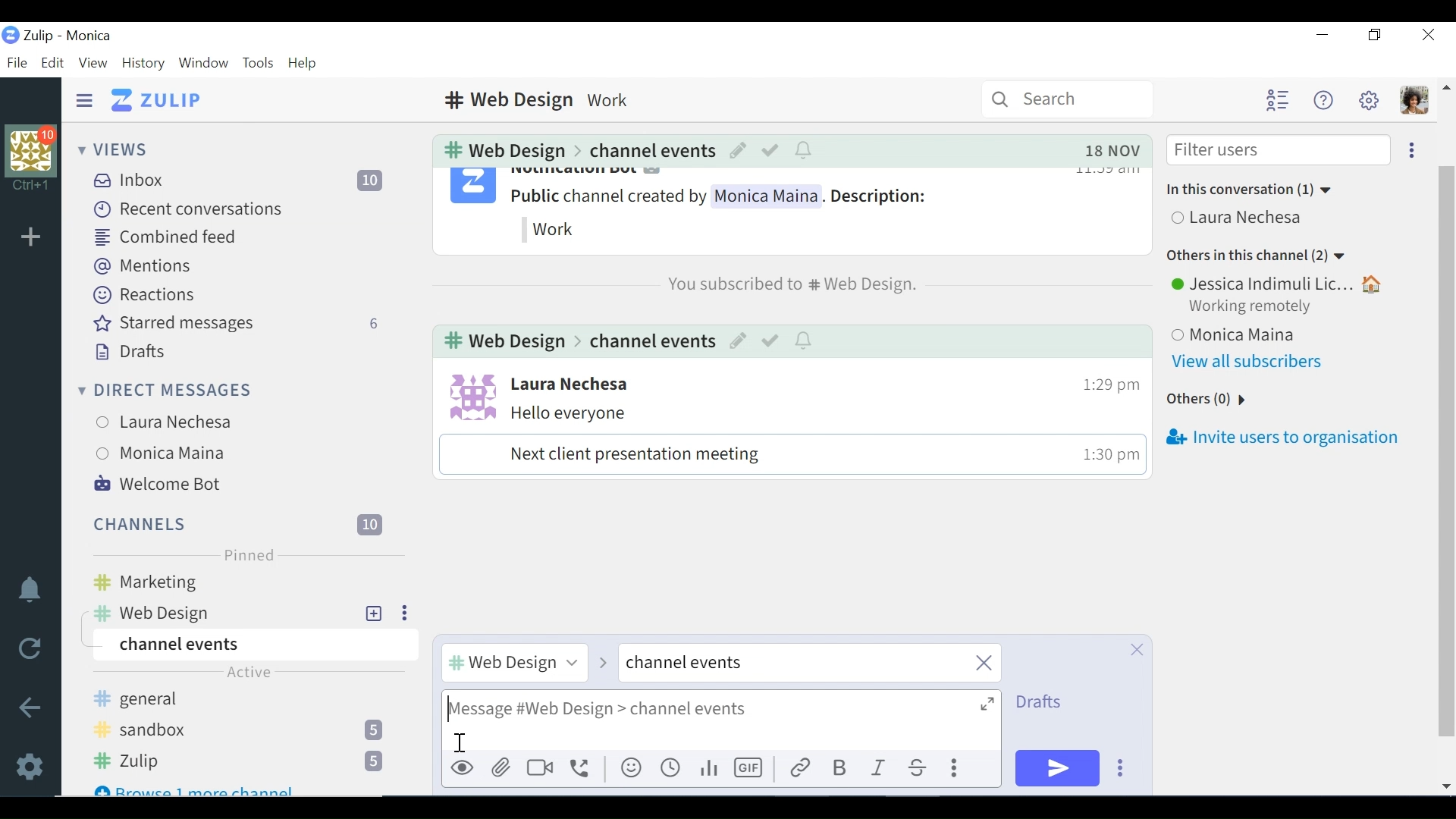 The height and width of the screenshot is (819, 1456). I want to click on Recent conversations, so click(189, 209).